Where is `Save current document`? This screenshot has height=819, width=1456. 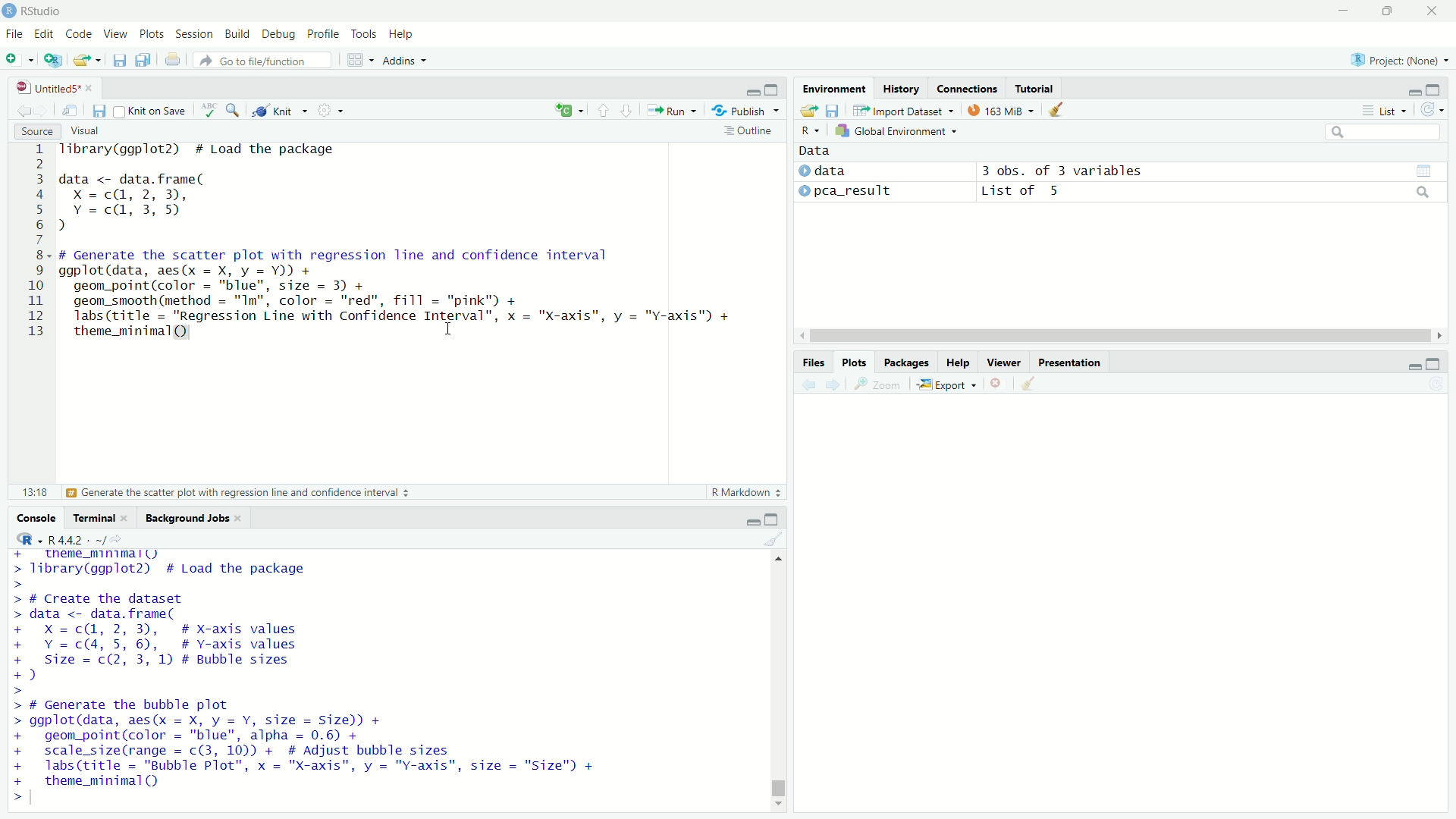
Save current document is located at coordinates (99, 110).